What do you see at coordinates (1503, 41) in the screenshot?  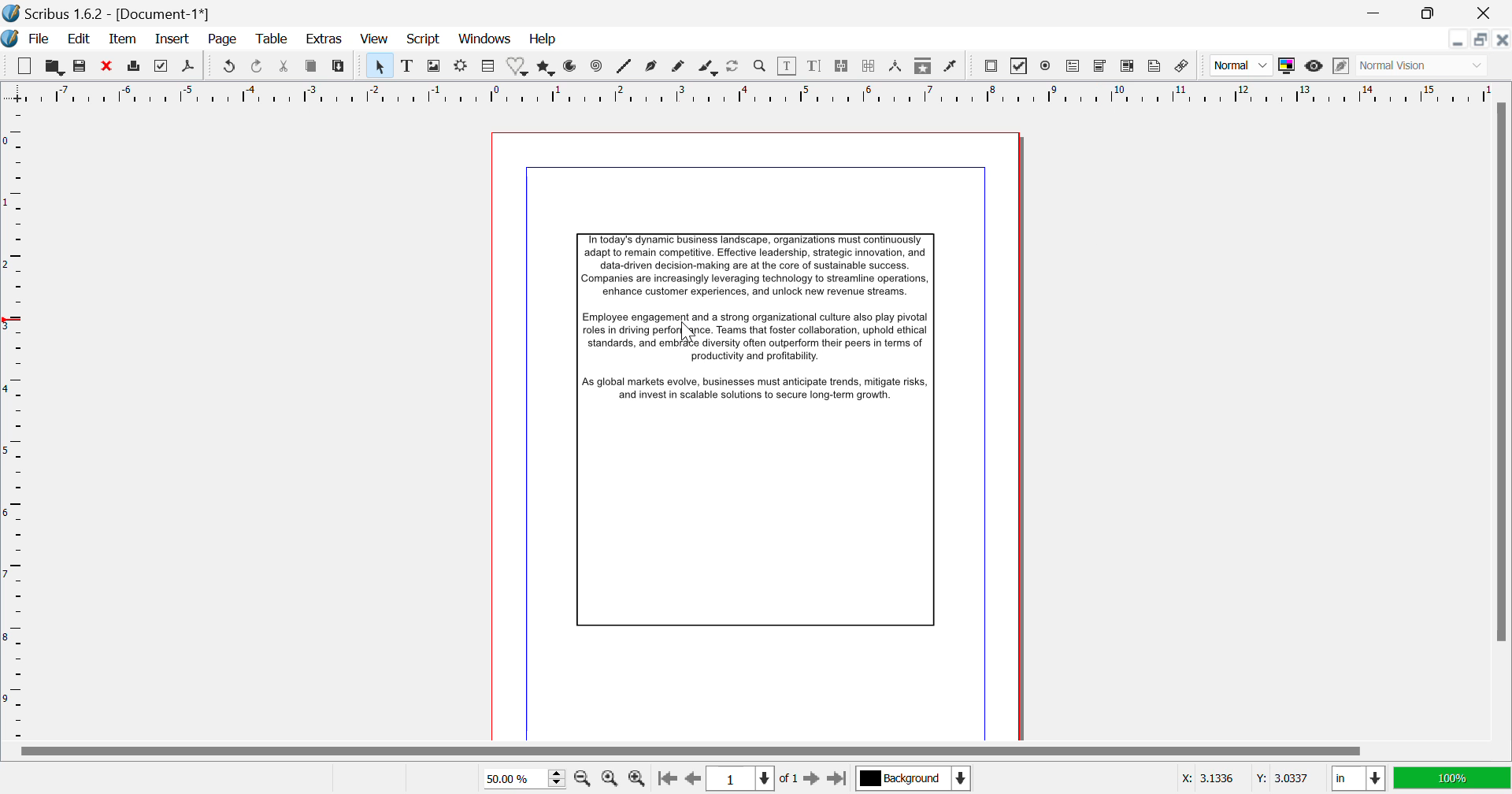 I see `Close` at bounding box center [1503, 41].